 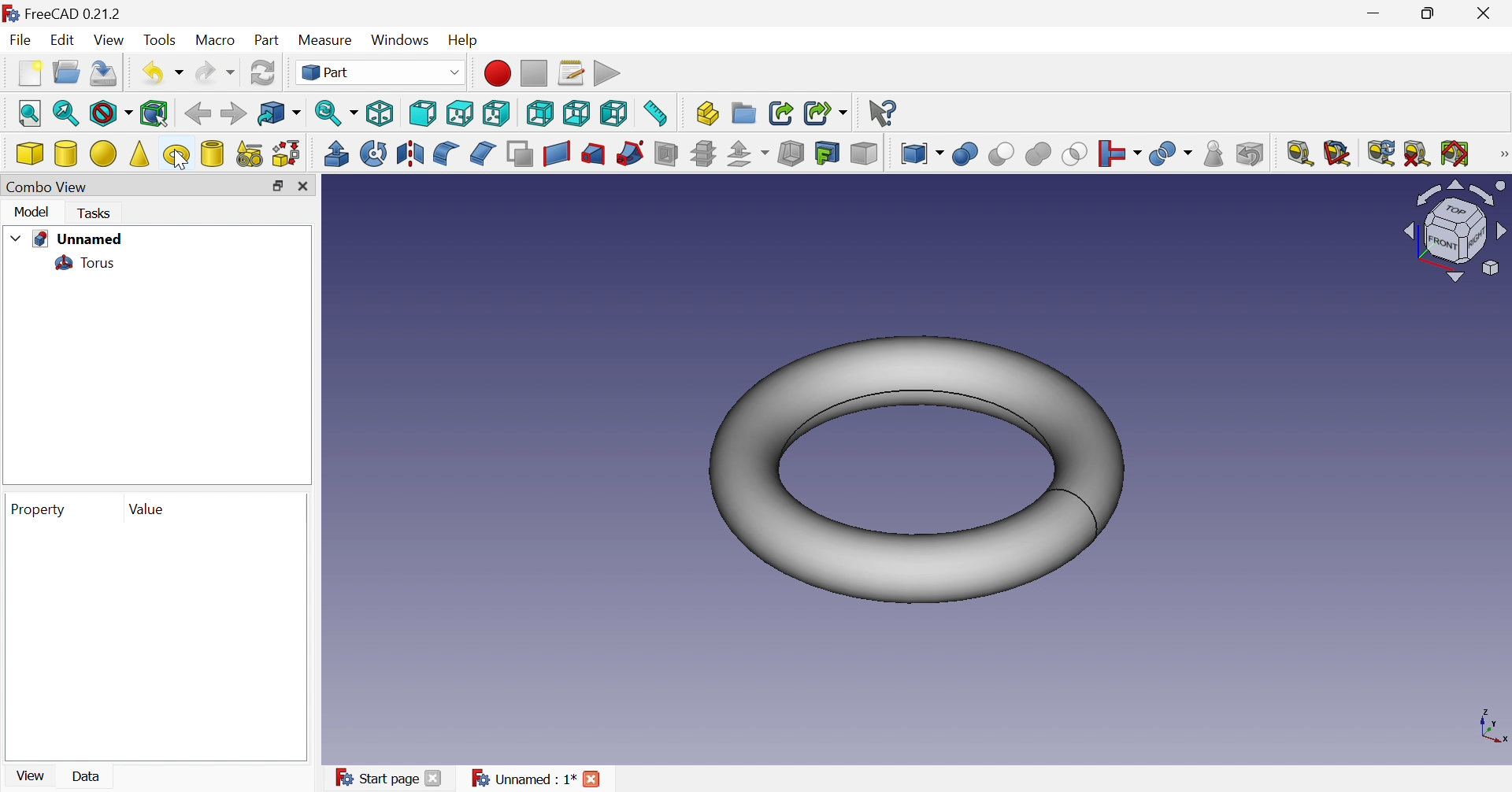 What do you see at coordinates (1429, 17) in the screenshot?
I see `Restore down` at bounding box center [1429, 17].